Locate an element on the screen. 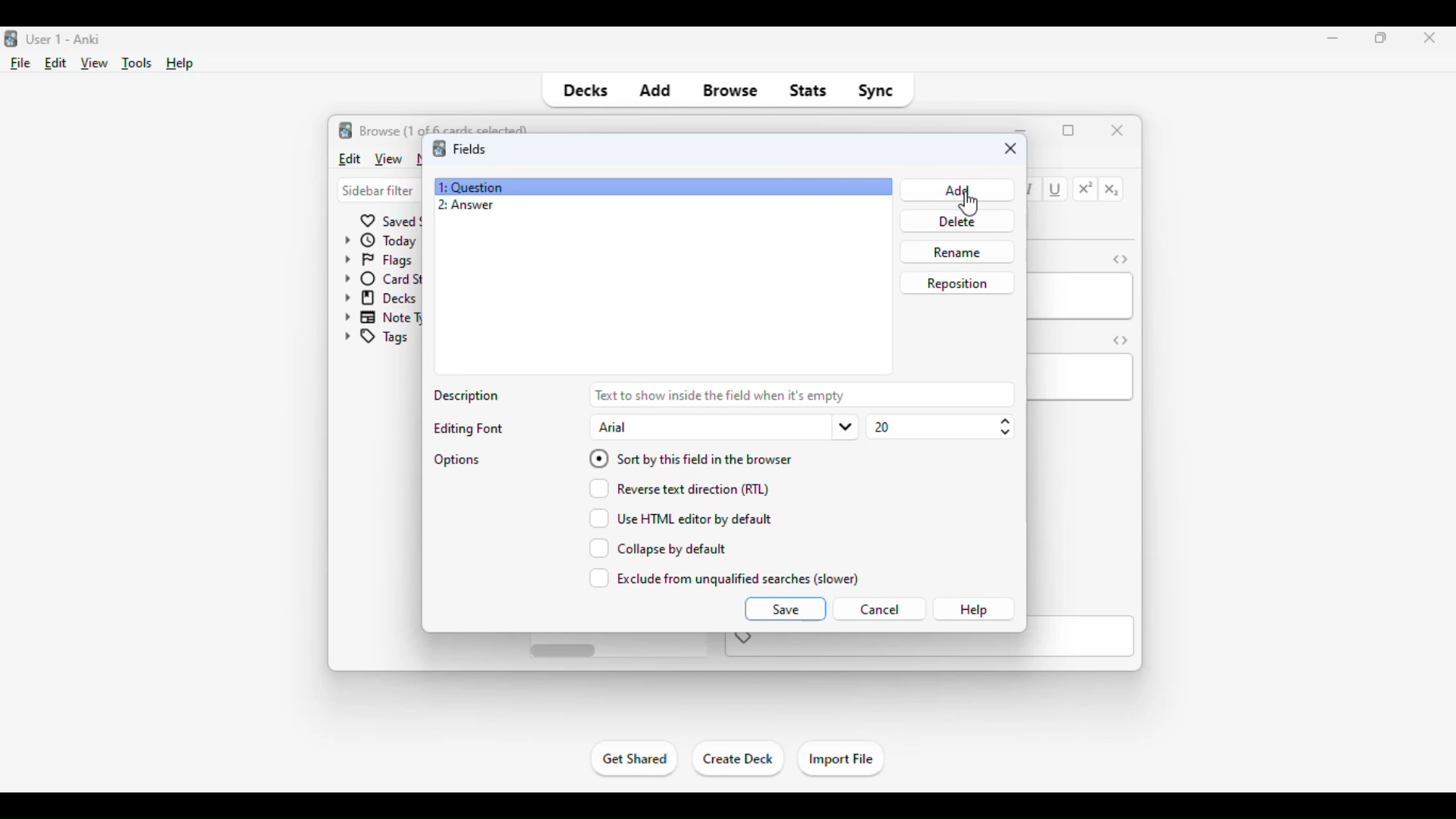  logo is located at coordinates (346, 130).